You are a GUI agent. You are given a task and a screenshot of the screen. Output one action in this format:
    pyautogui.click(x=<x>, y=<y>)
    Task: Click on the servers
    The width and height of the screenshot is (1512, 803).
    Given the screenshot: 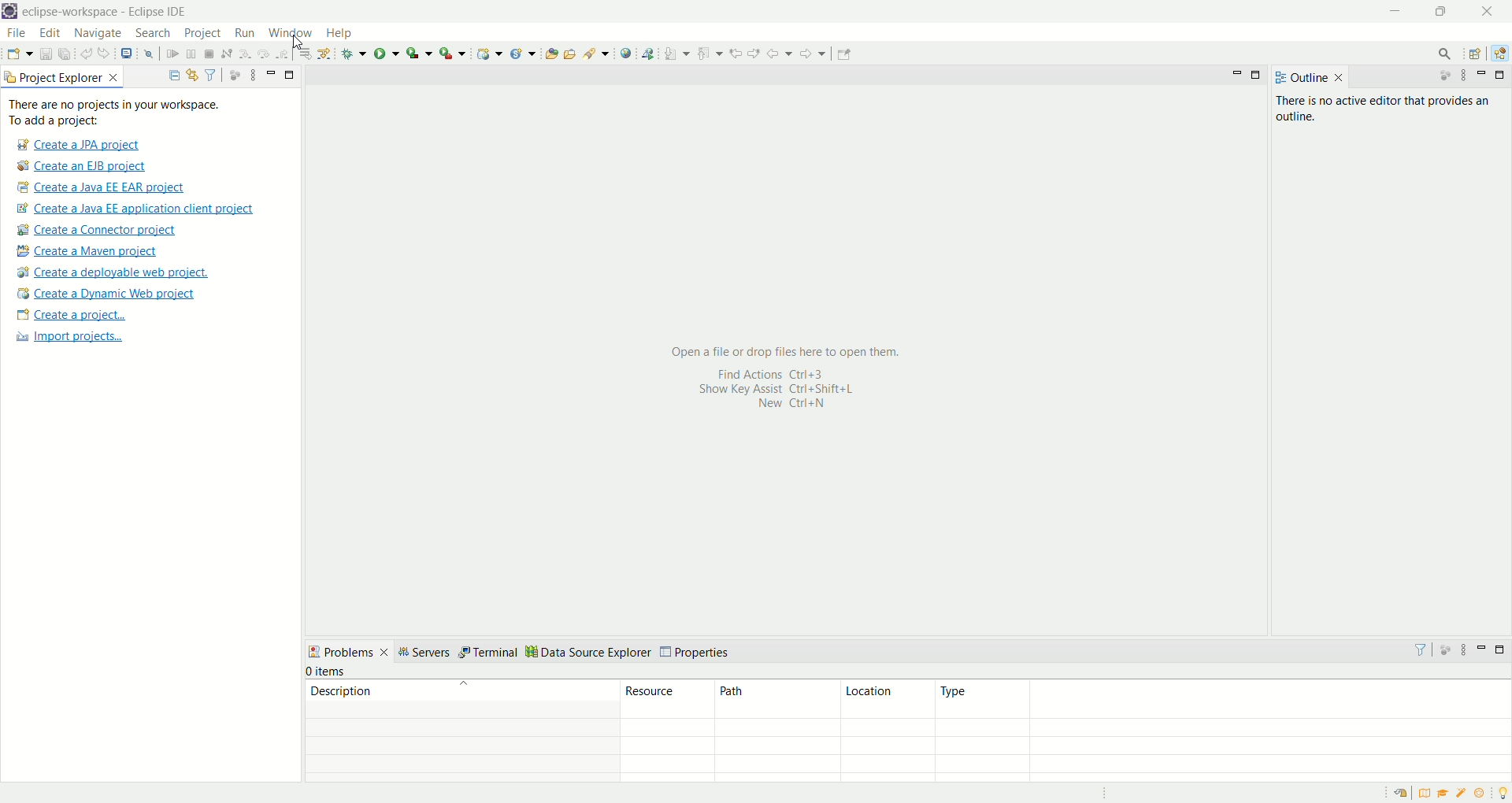 What is the action you would take?
    pyautogui.click(x=424, y=654)
    